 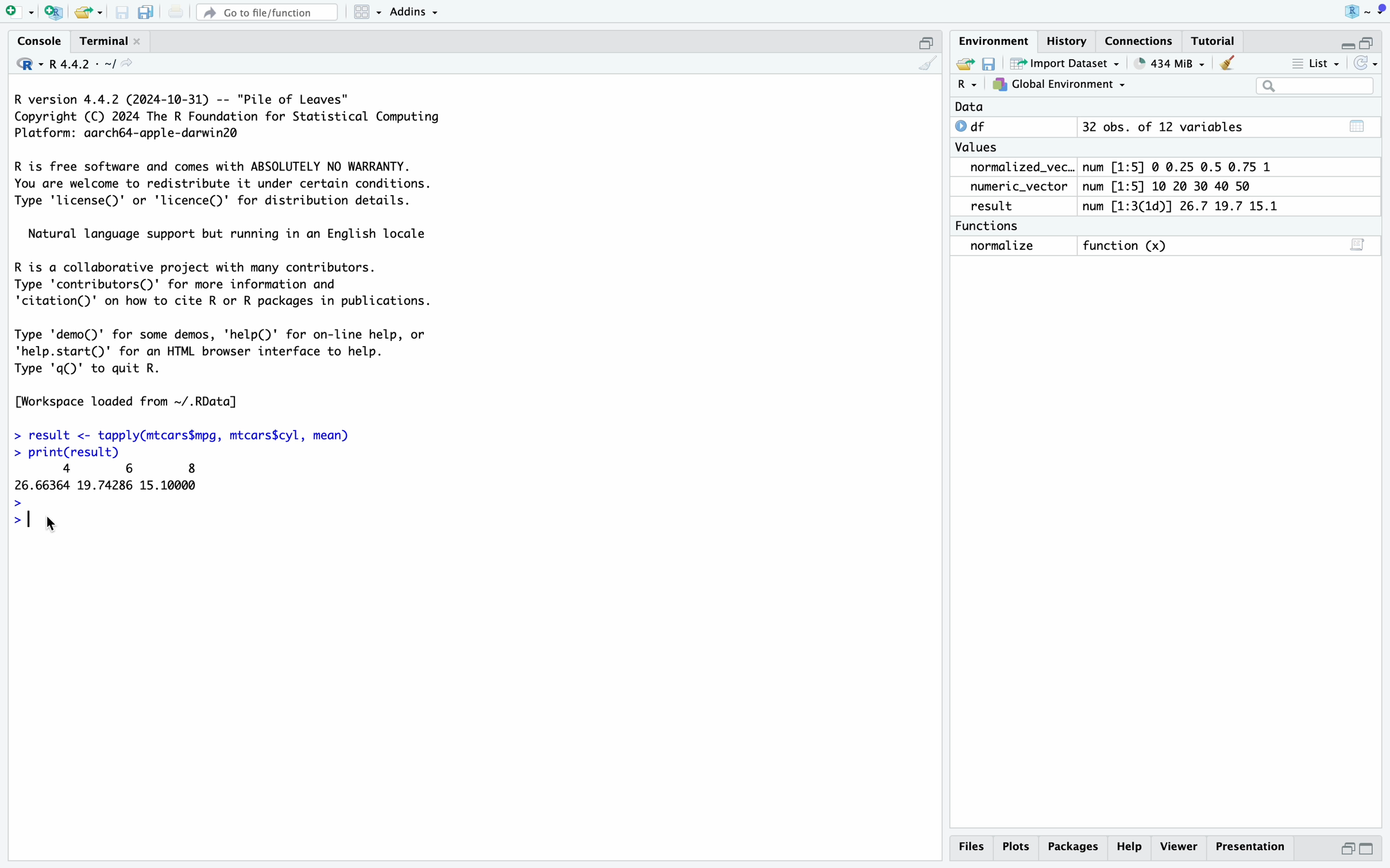 What do you see at coordinates (1181, 206) in the screenshot?
I see `num [1:3(1d)] 26.7 19.7 15.1` at bounding box center [1181, 206].